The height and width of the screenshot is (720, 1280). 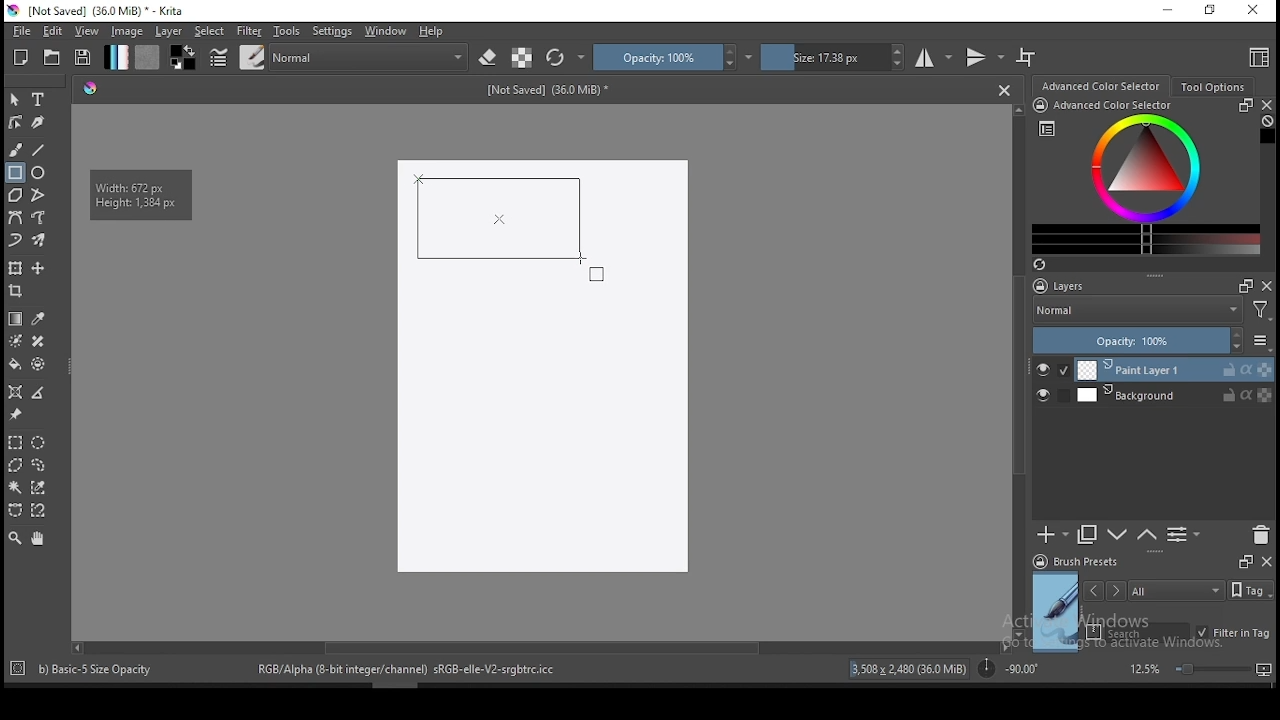 I want to click on filter, so click(x=248, y=31).